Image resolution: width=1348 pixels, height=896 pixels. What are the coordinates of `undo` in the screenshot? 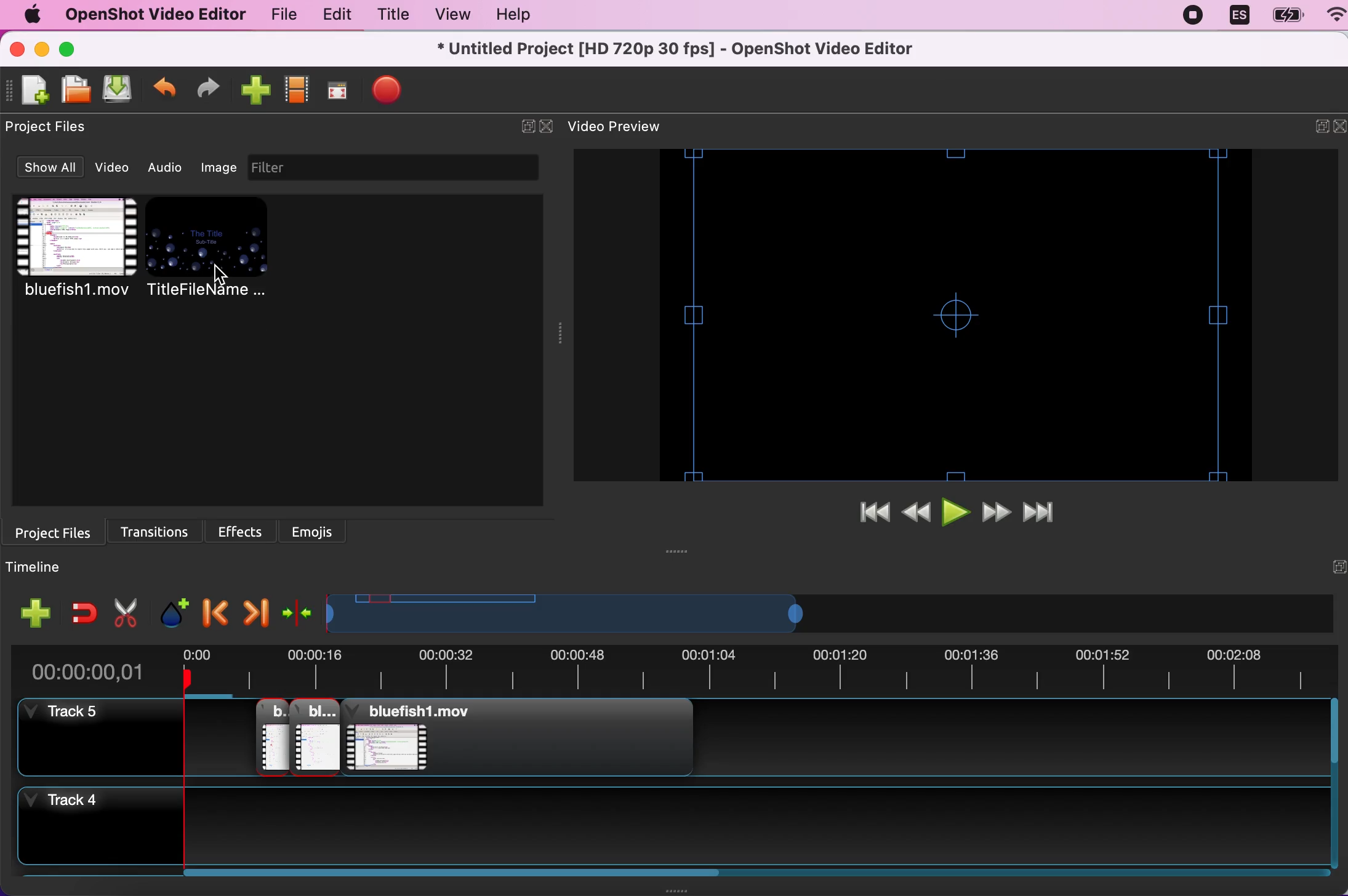 It's located at (165, 92).